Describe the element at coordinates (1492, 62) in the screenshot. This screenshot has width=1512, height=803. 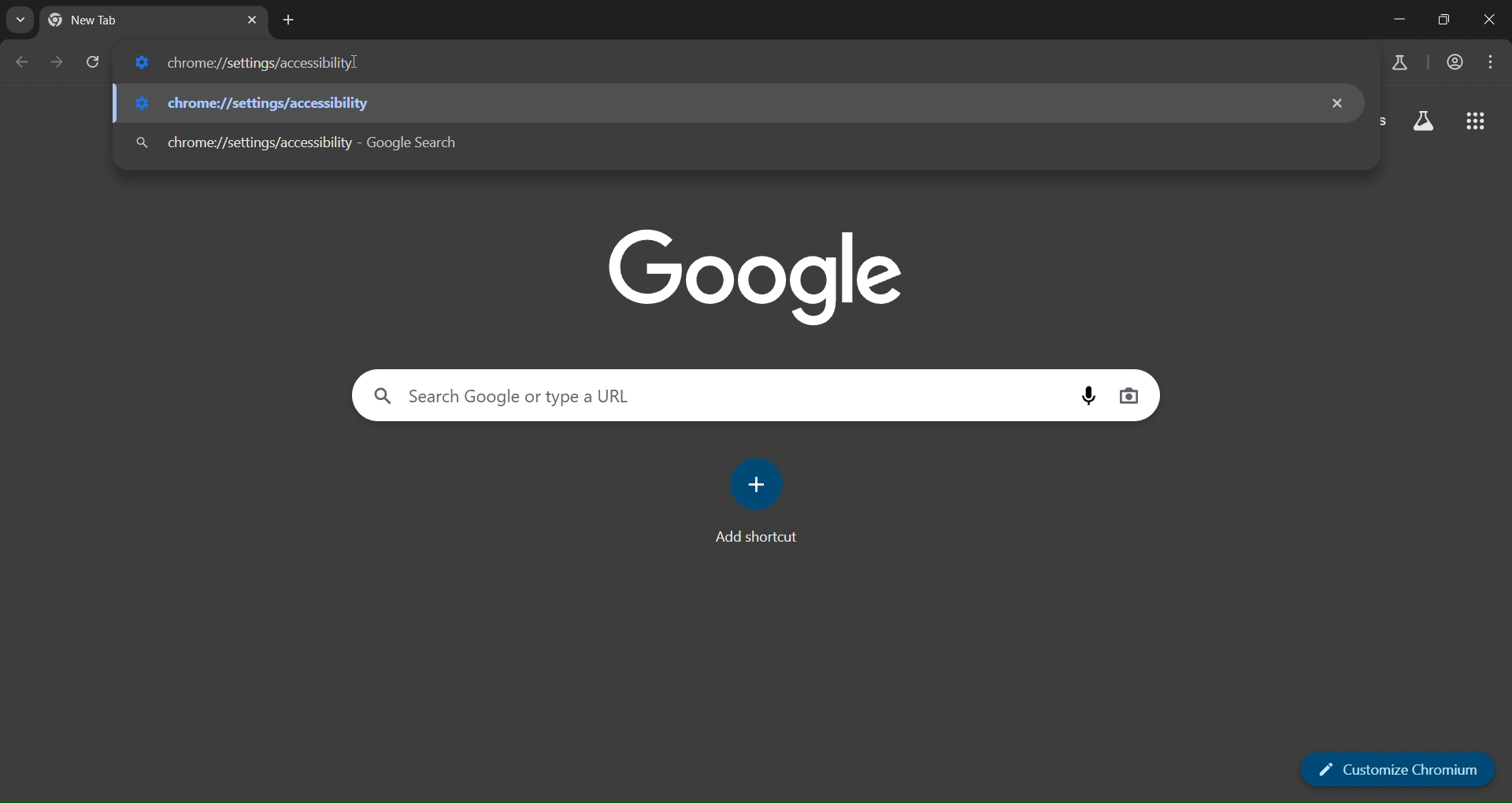
I see `menu` at that location.